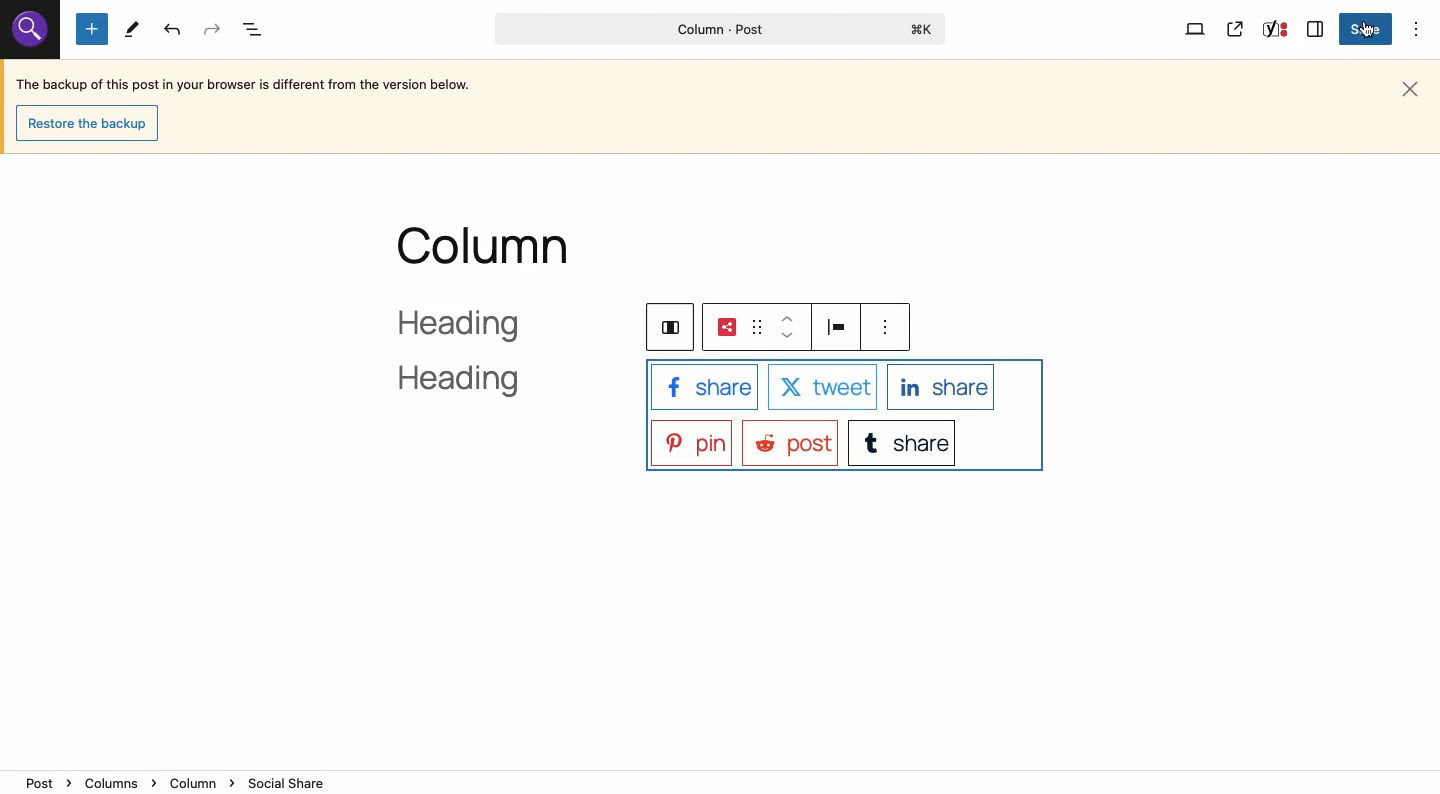 The image size is (1440, 794). I want to click on Post, so click(789, 442).